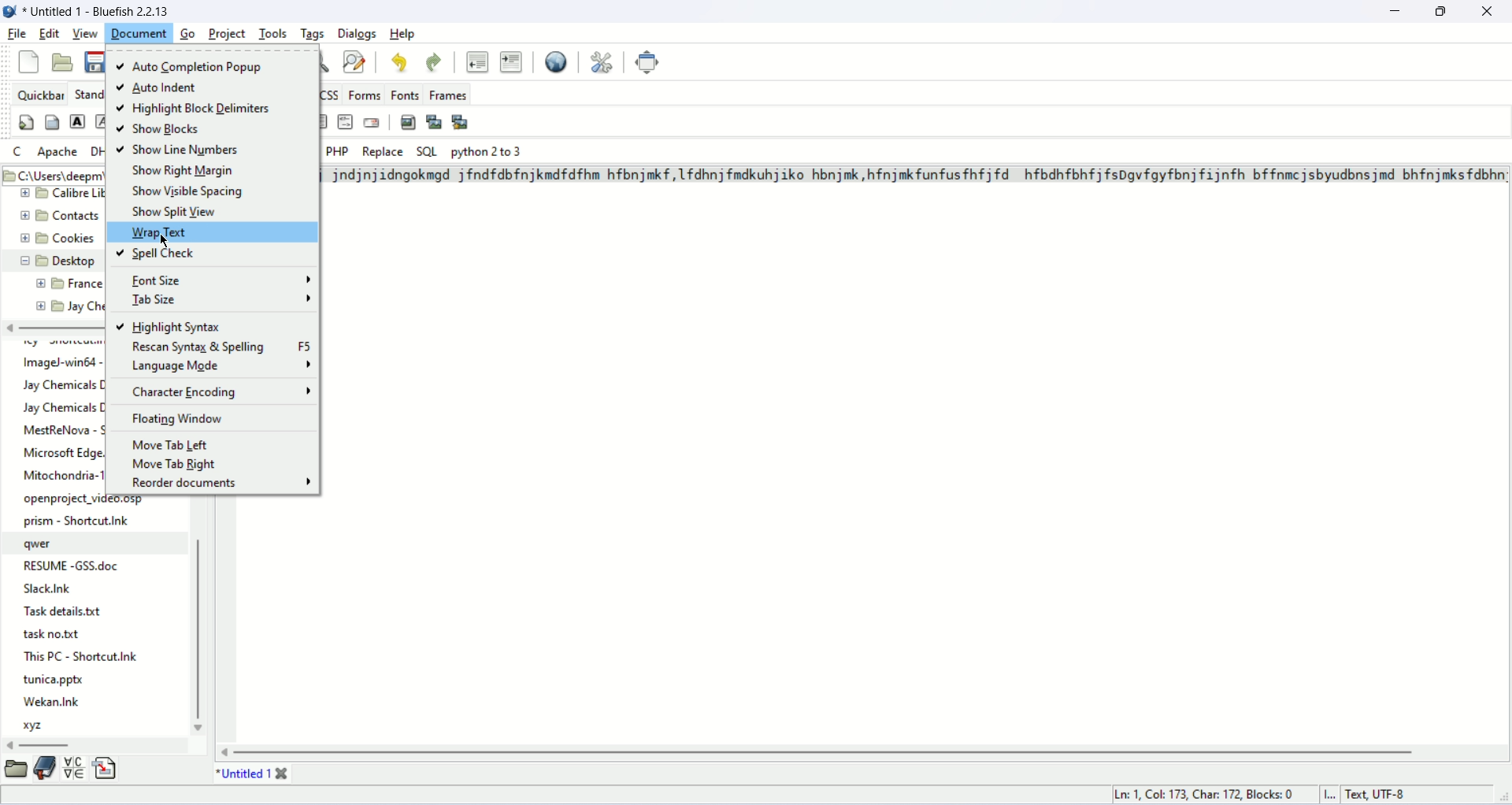 The image size is (1512, 805). I want to click on auto indent, so click(165, 90).